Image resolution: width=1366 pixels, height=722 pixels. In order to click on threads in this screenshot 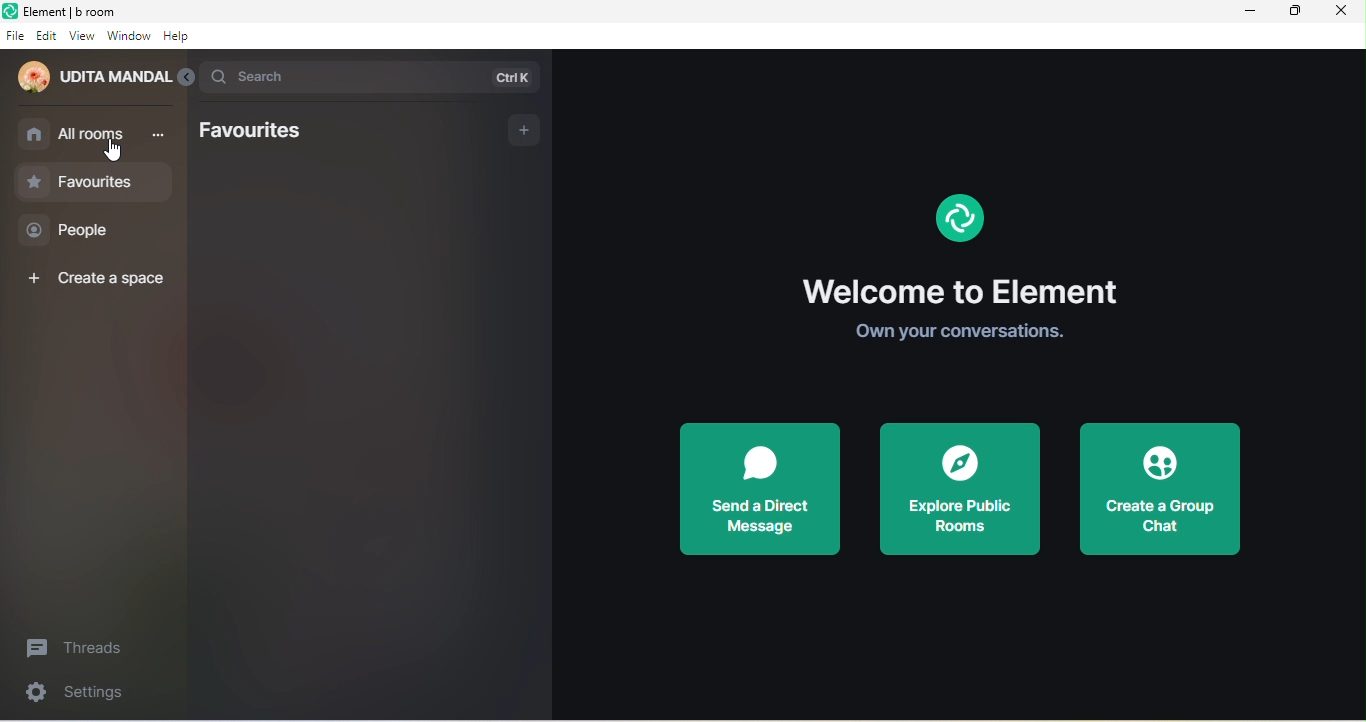, I will do `click(85, 648)`.